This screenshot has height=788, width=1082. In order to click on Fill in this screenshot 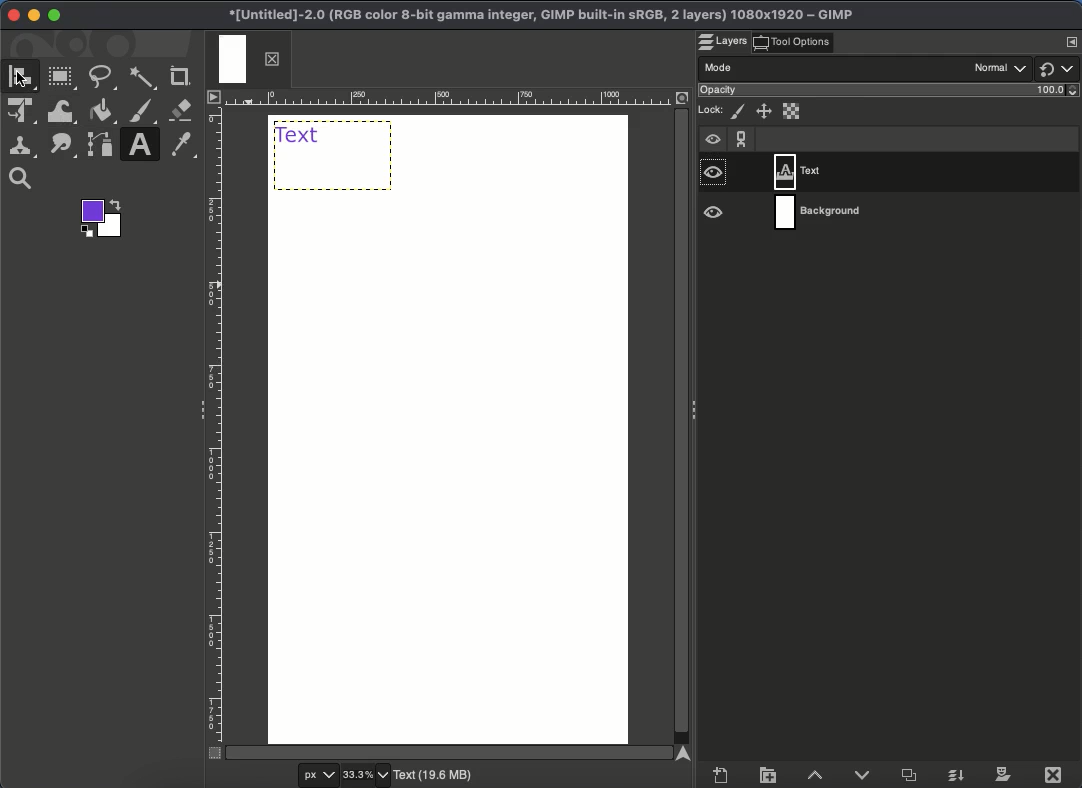, I will do `click(101, 112)`.